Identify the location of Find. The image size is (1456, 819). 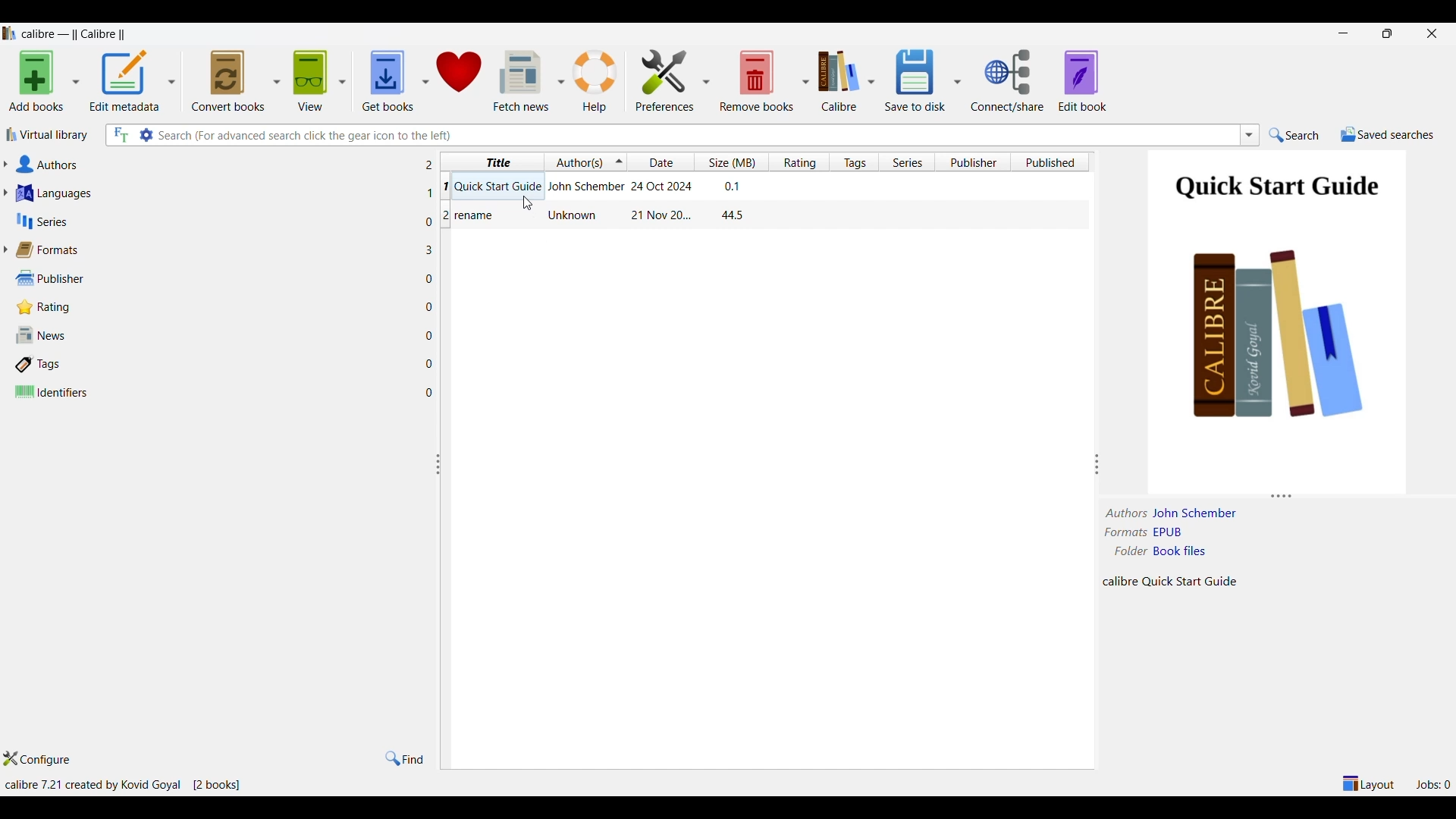
(406, 758).